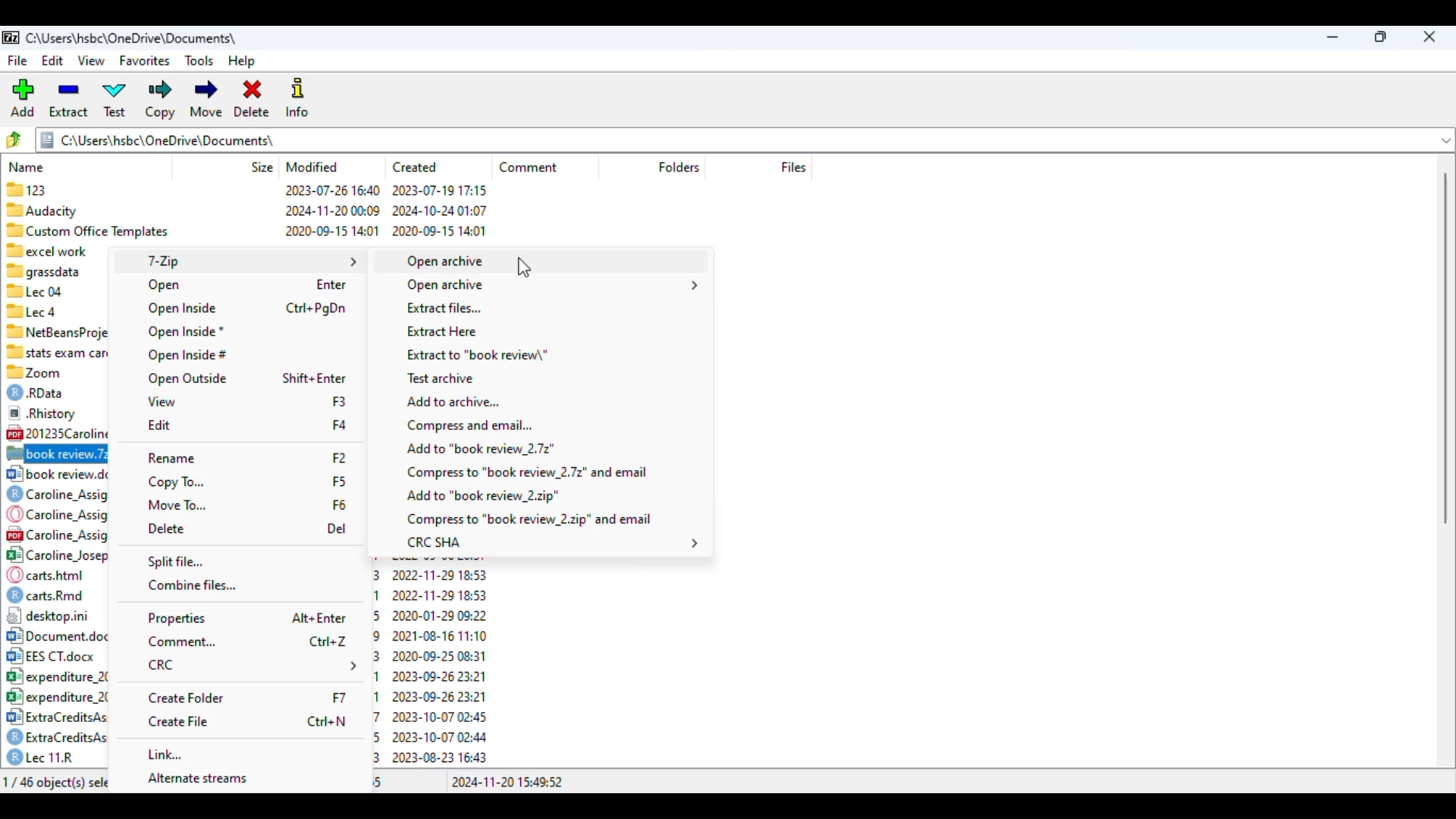 This screenshot has width=1456, height=819. Describe the element at coordinates (416, 168) in the screenshot. I see `created` at that location.